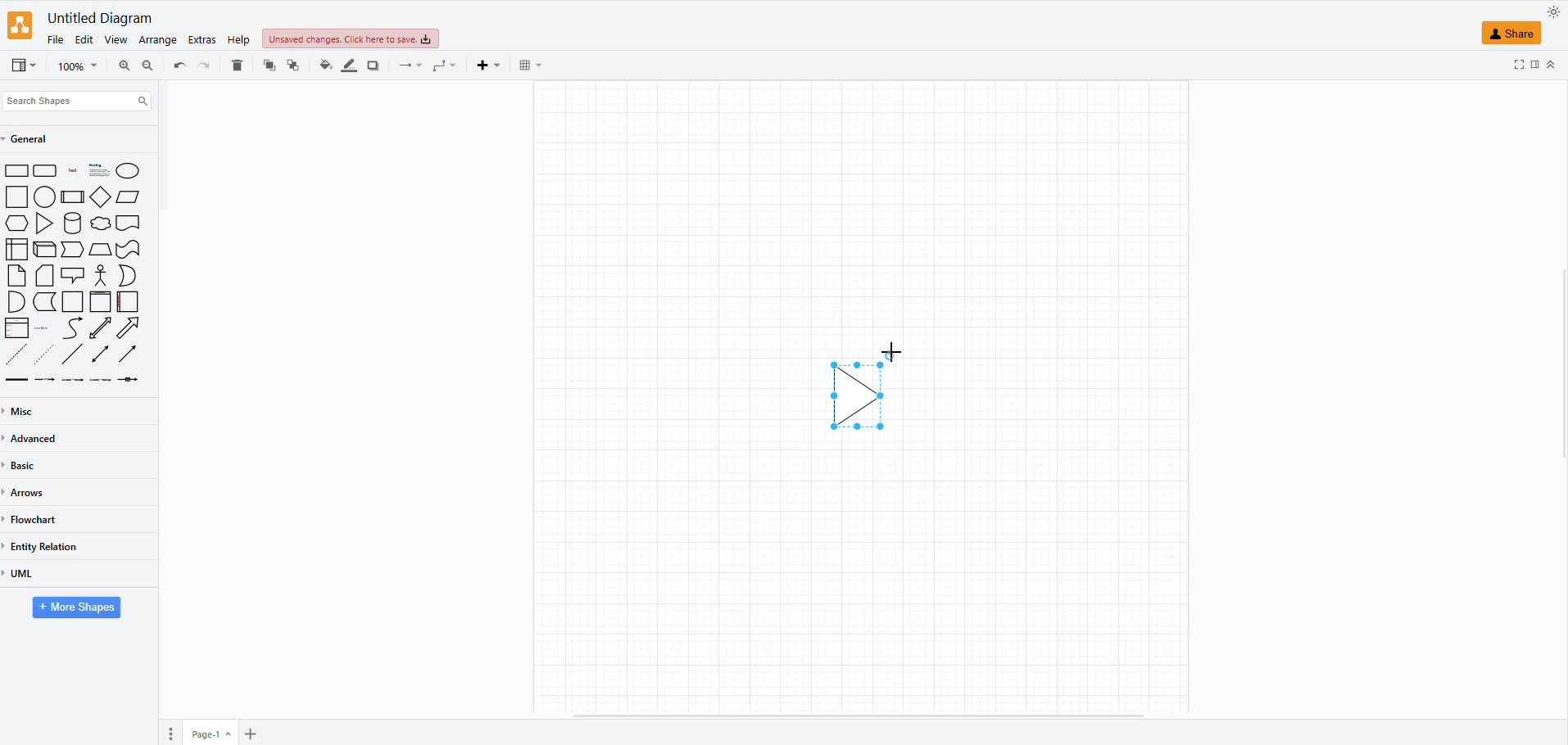 This screenshot has width=1568, height=745. I want to click on Box with borders, so click(74, 196).